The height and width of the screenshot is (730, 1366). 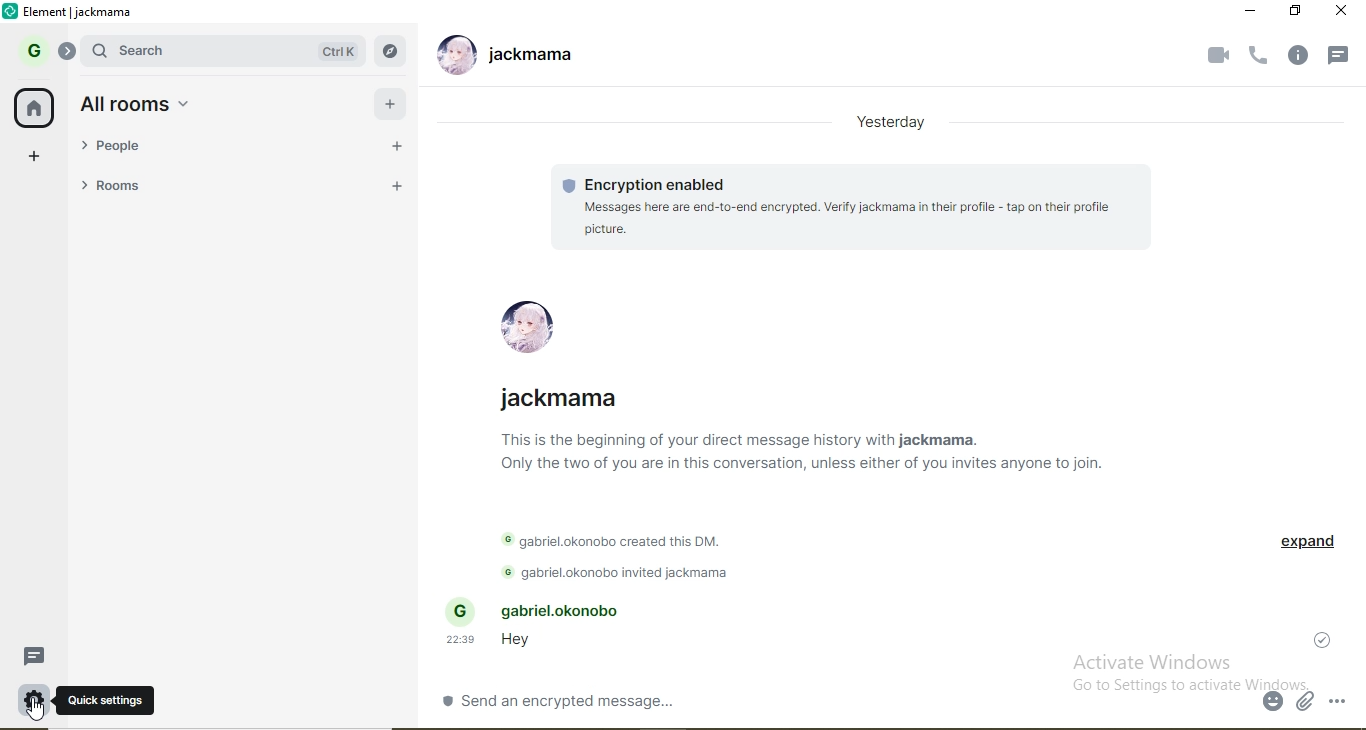 I want to click on voice call, so click(x=1260, y=57).